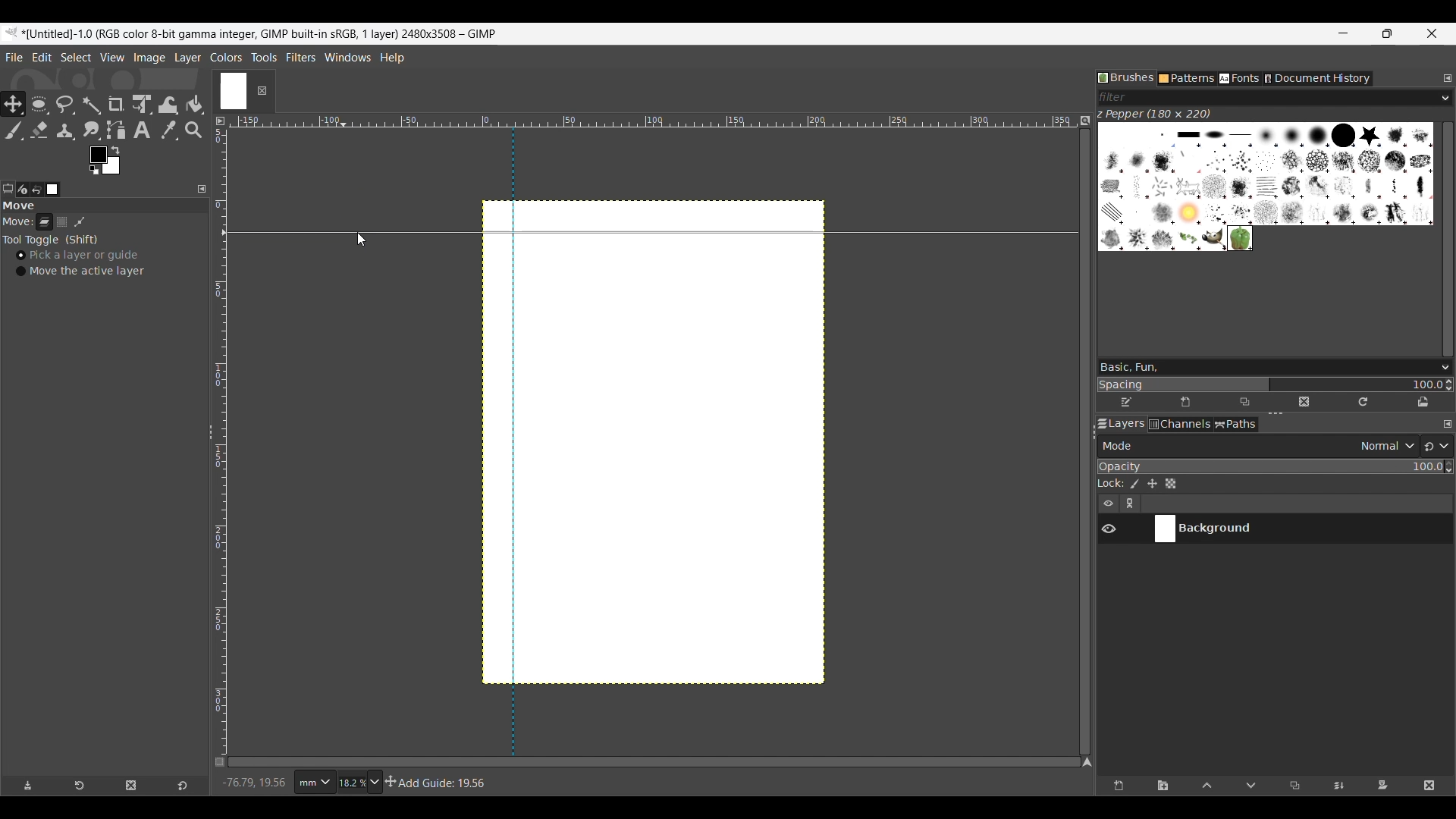 The image size is (1456, 819). What do you see at coordinates (1436, 446) in the screenshot?
I see `Switch to another group of modes` at bounding box center [1436, 446].